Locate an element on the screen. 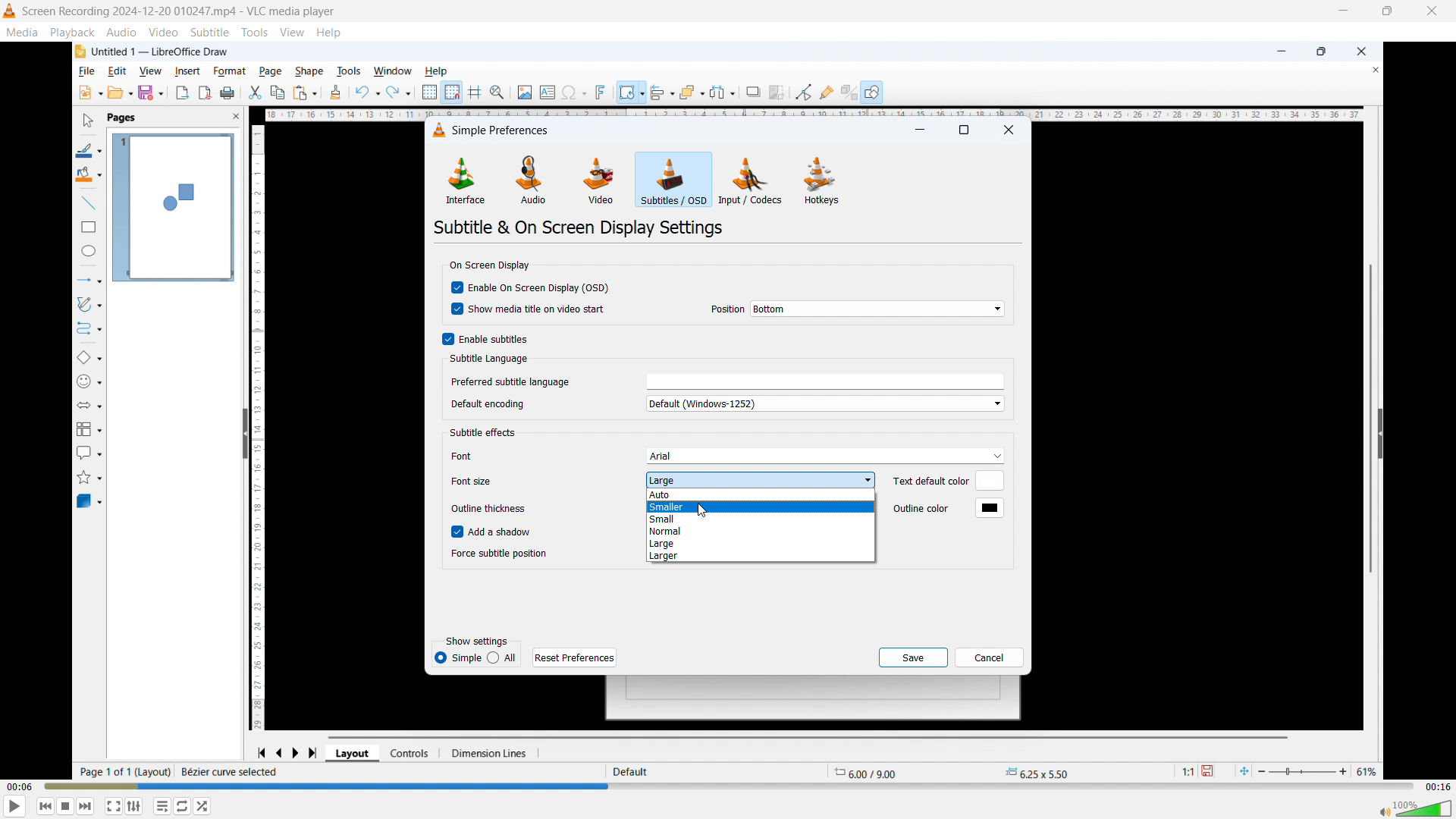 The height and width of the screenshot is (819, 1456). Position is located at coordinates (726, 308).